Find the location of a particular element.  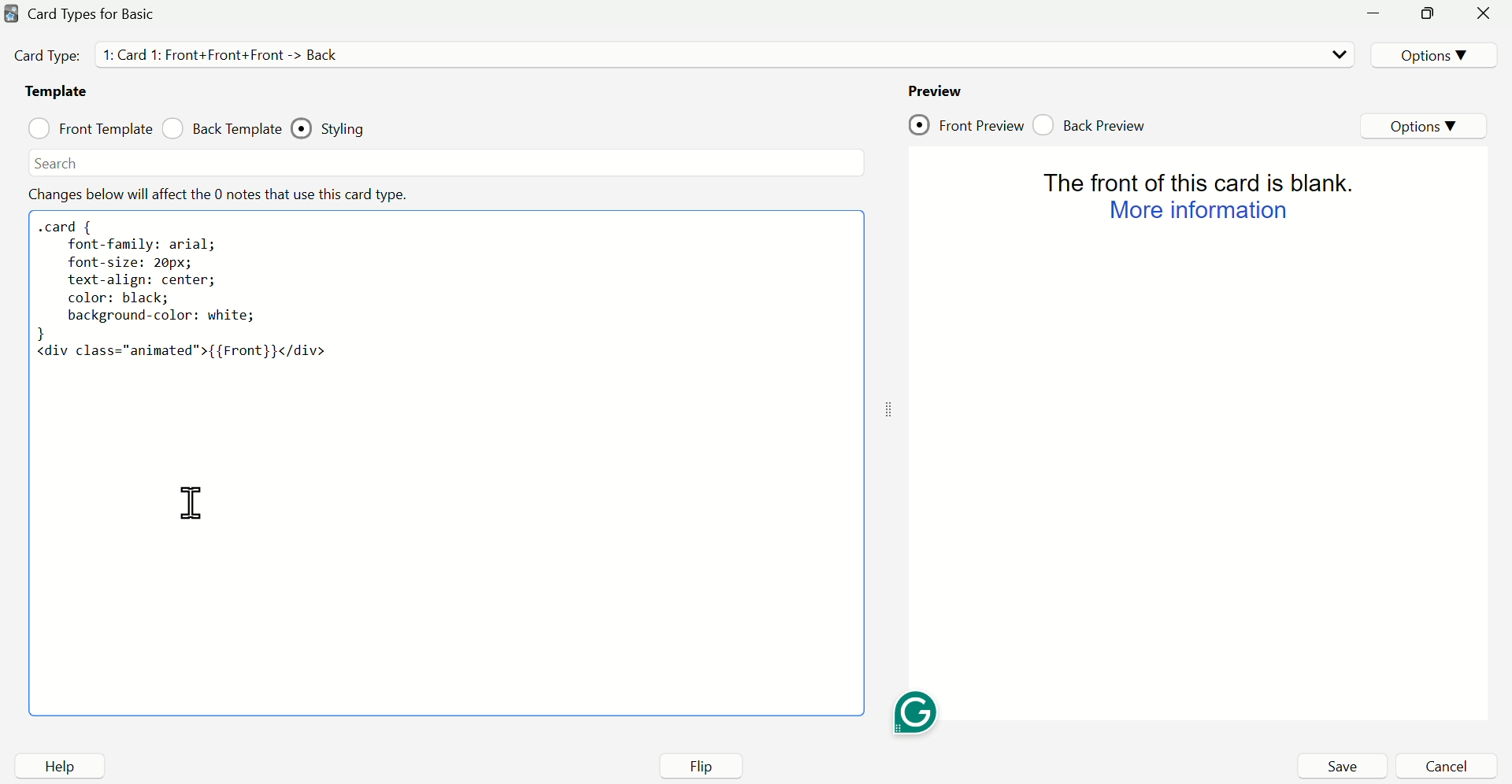

Front Preview is located at coordinates (966, 124).